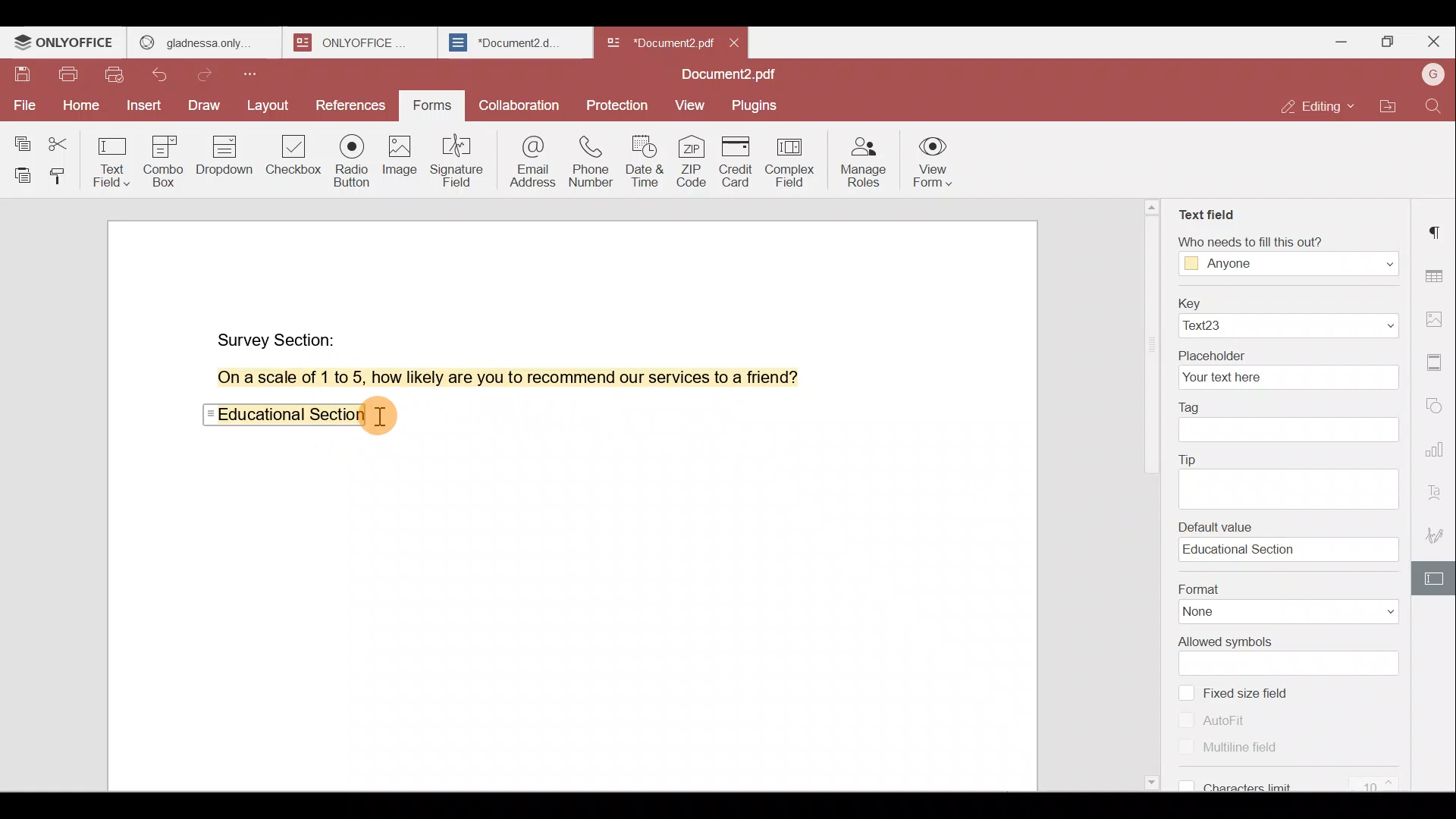  Describe the element at coordinates (116, 77) in the screenshot. I see `Quick print` at that location.